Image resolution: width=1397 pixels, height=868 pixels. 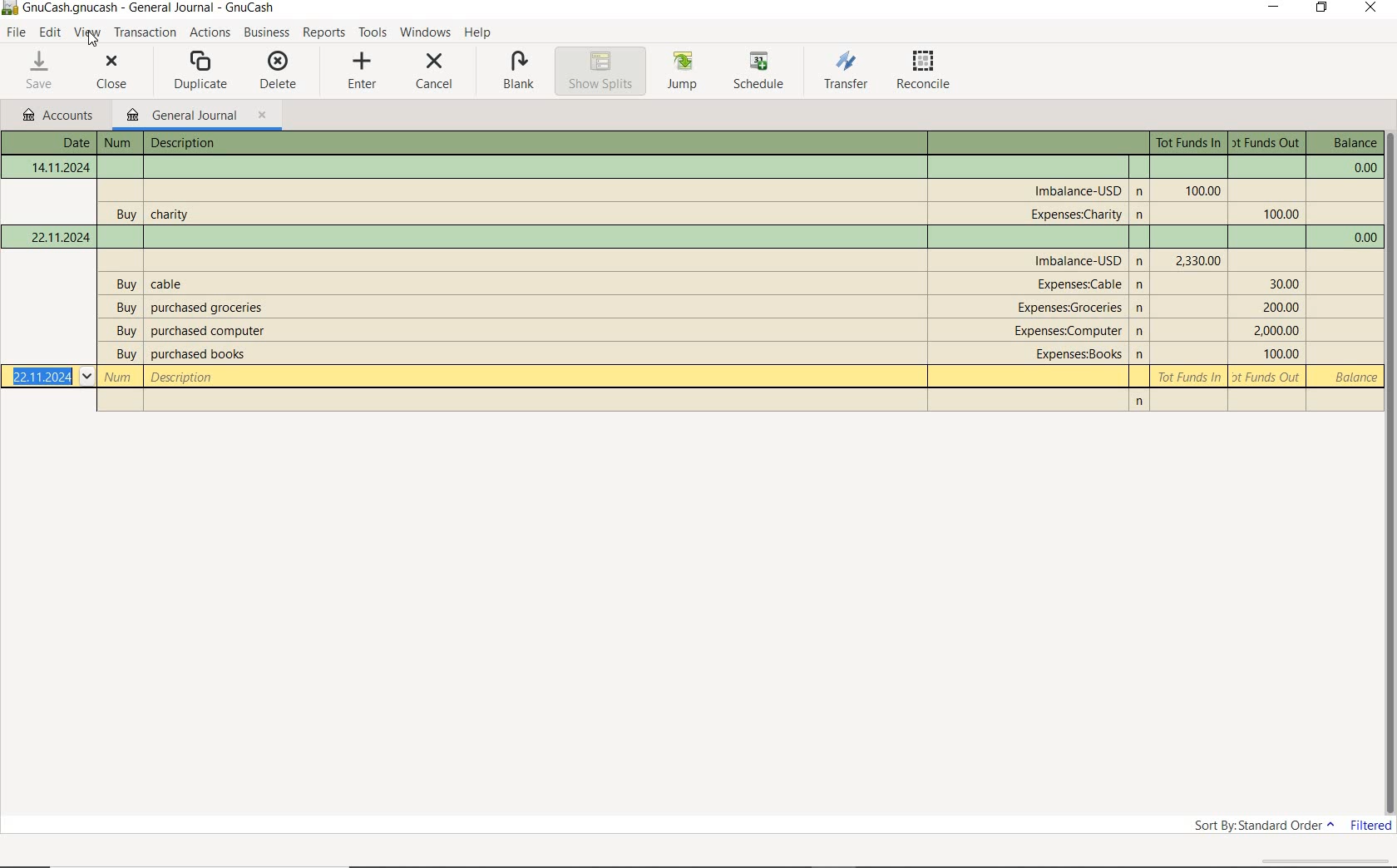 I want to click on account, so click(x=1070, y=331).